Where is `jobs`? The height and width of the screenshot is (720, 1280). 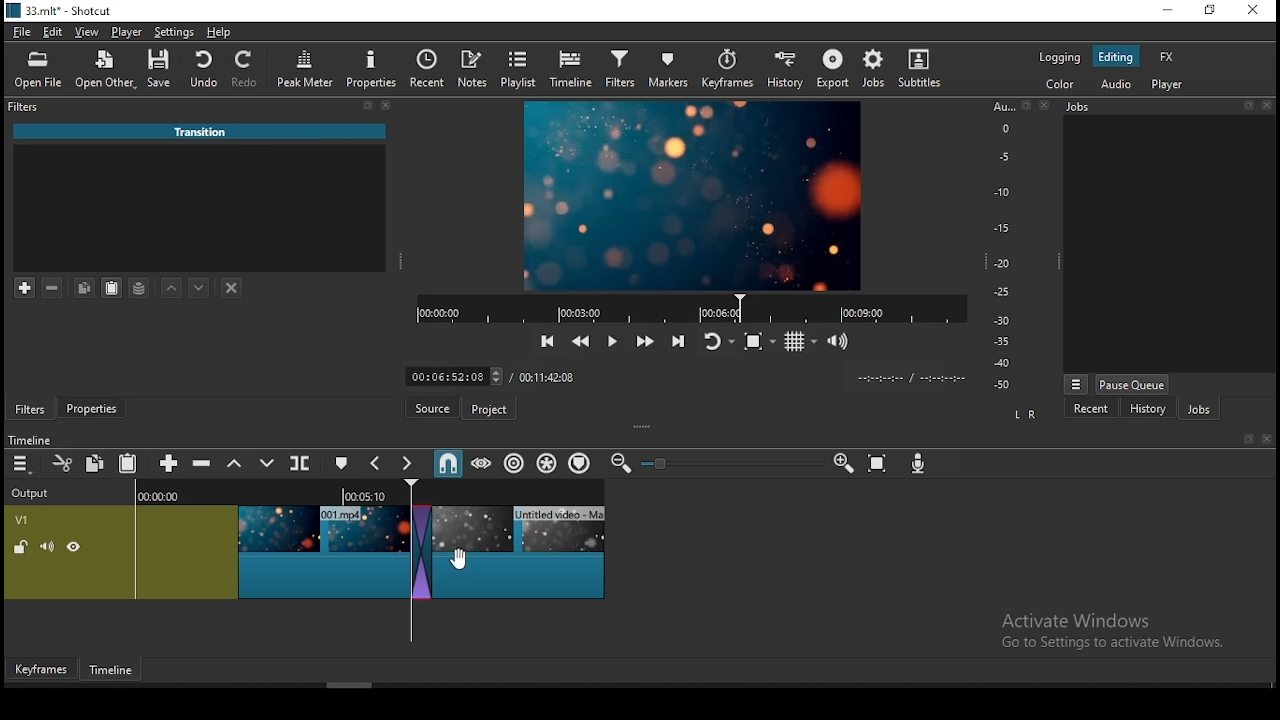 jobs is located at coordinates (871, 67).